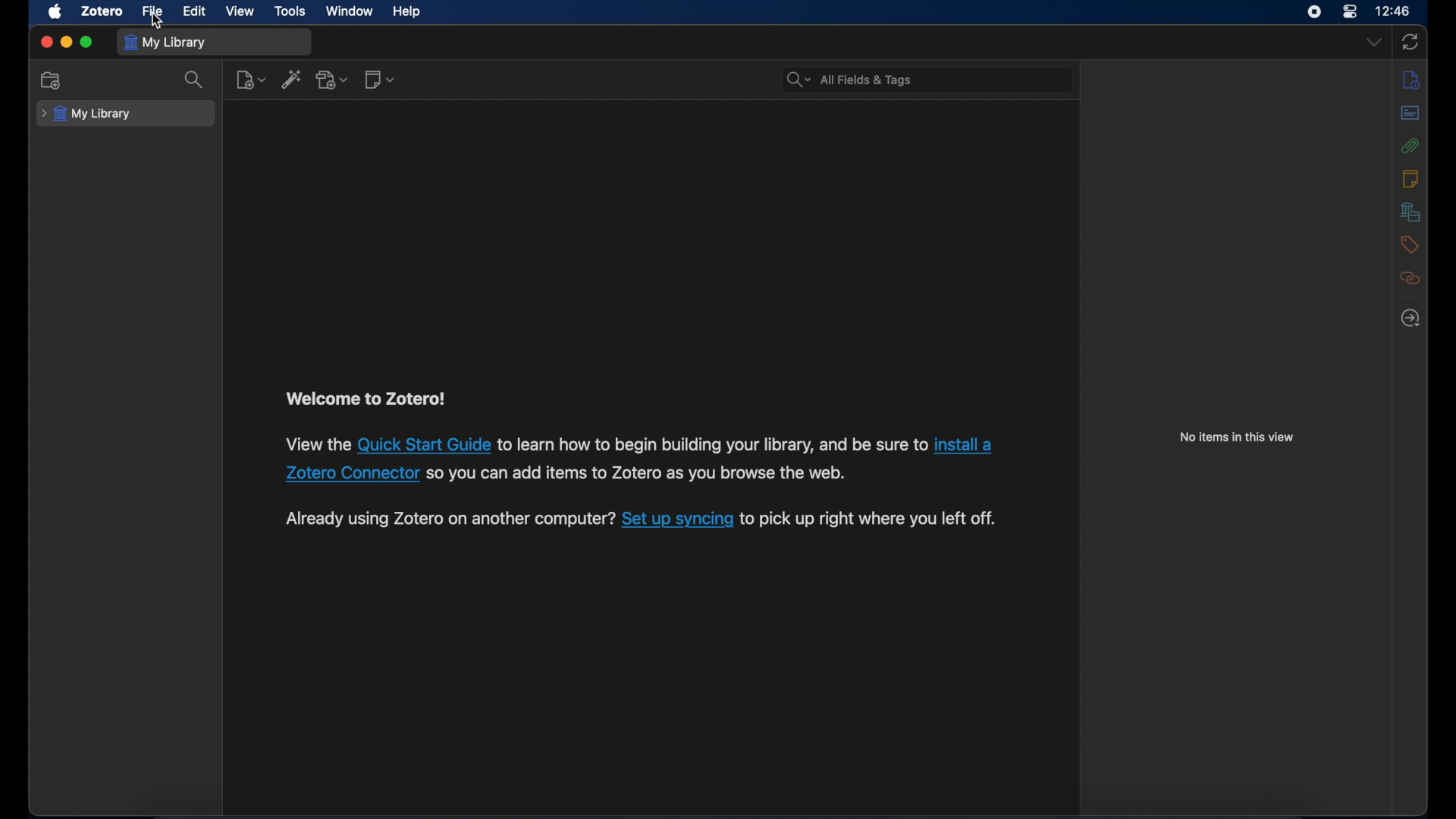  What do you see at coordinates (1392, 11) in the screenshot?
I see `time` at bounding box center [1392, 11].